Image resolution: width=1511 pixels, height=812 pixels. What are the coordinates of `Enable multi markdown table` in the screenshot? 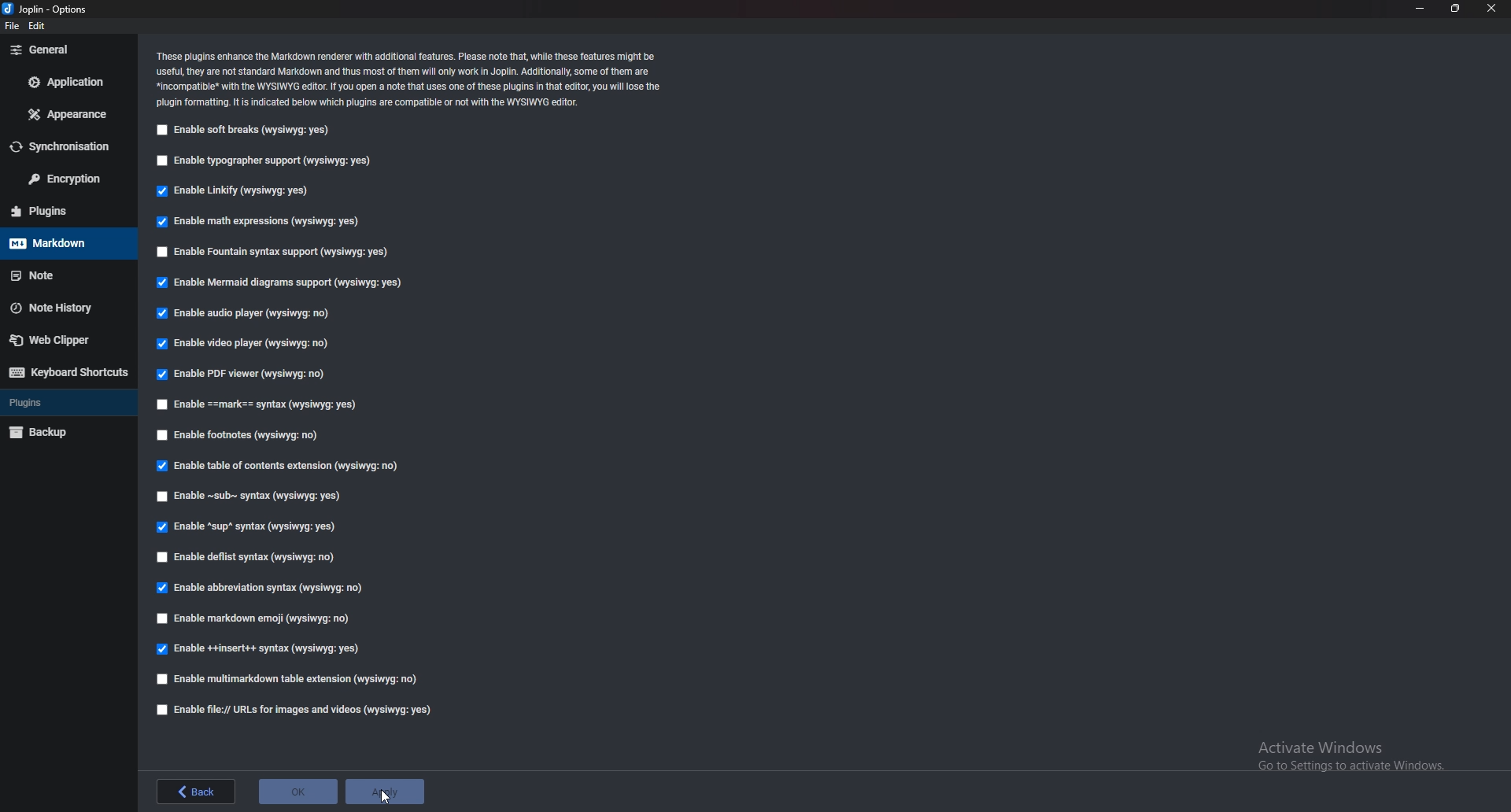 It's located at (292, 679).